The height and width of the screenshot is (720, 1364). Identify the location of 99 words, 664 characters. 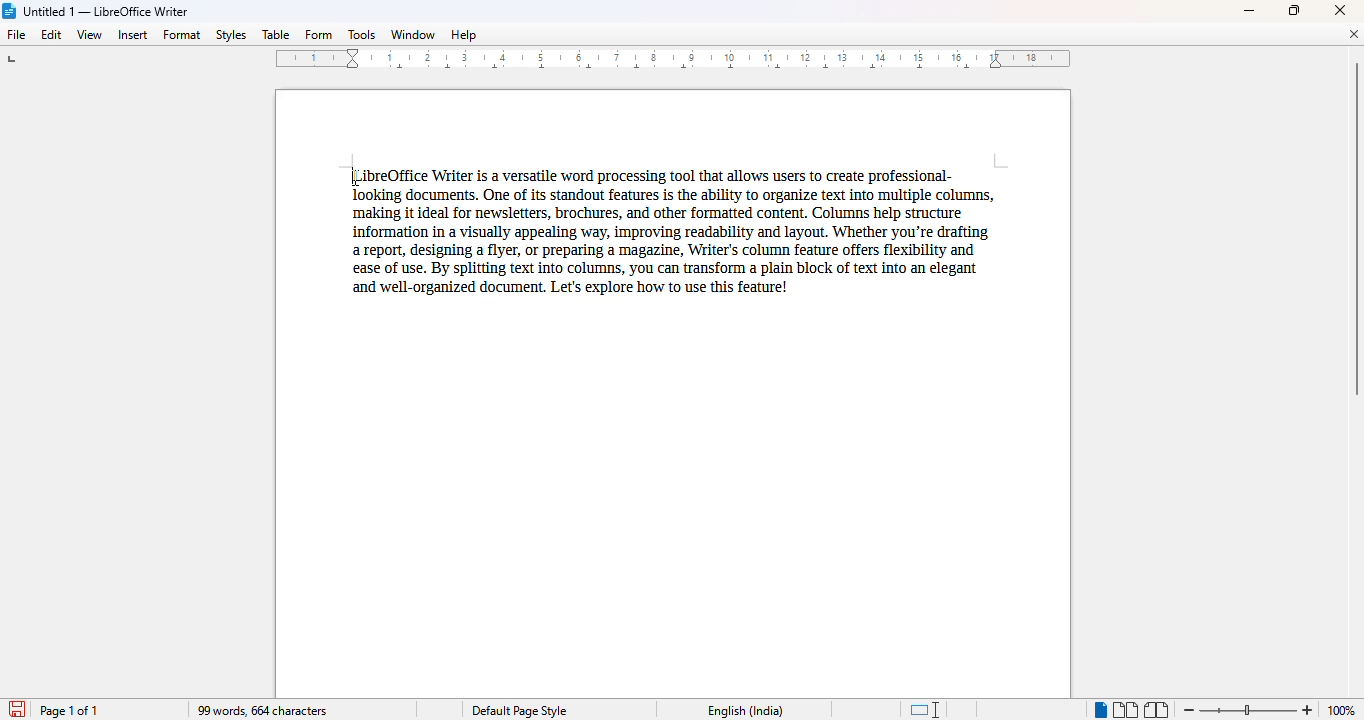
(261, 710).